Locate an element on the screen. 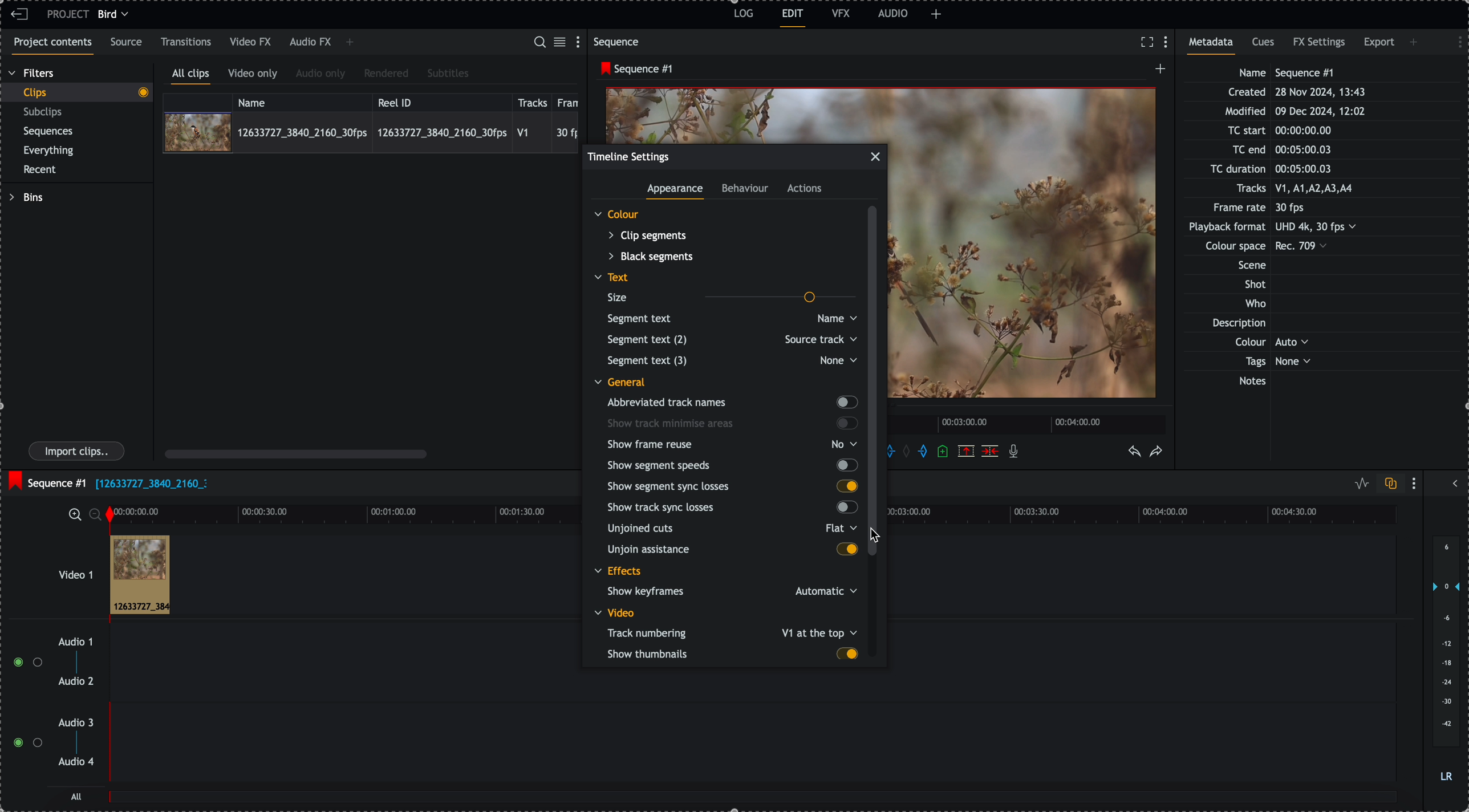 The image size is (1469, 812). import clips button is located at coordinates (78, 452).